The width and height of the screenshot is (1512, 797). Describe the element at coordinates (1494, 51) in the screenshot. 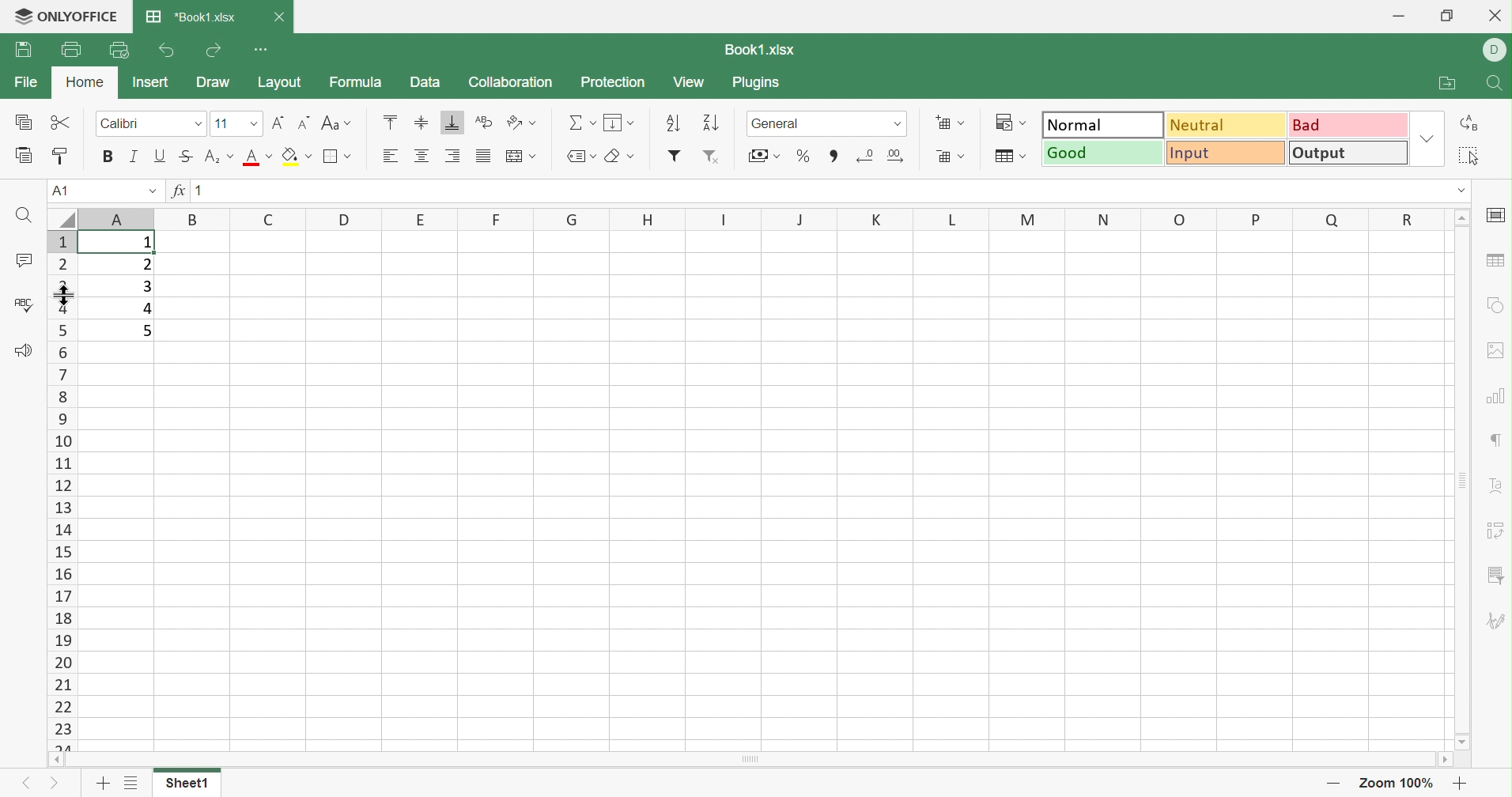

I see `DELL` at that location.